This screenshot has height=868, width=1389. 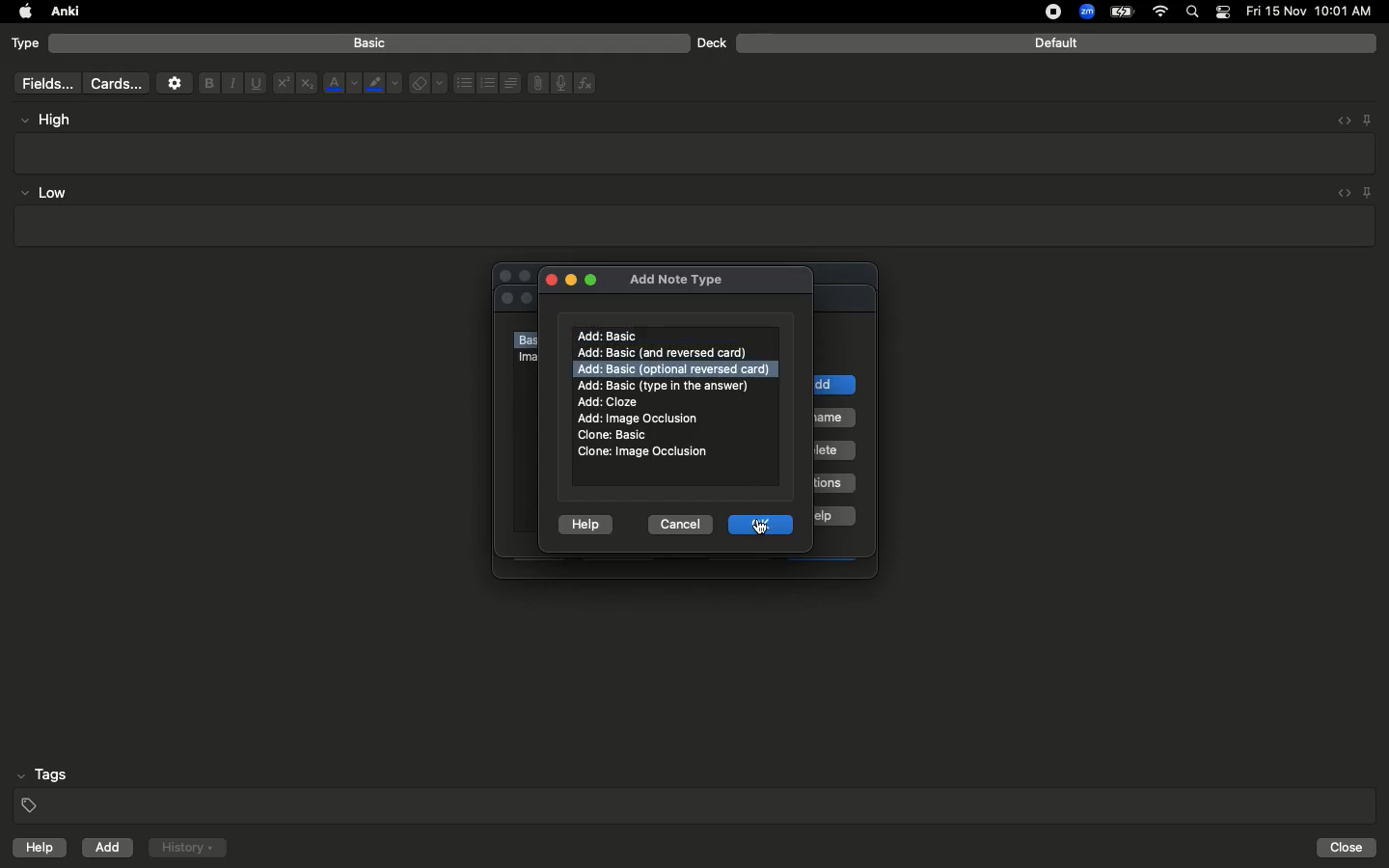 What do you see at coordinates (761, 528) in the screenshot?
I see `cursor` at bounding box center [761, 528].